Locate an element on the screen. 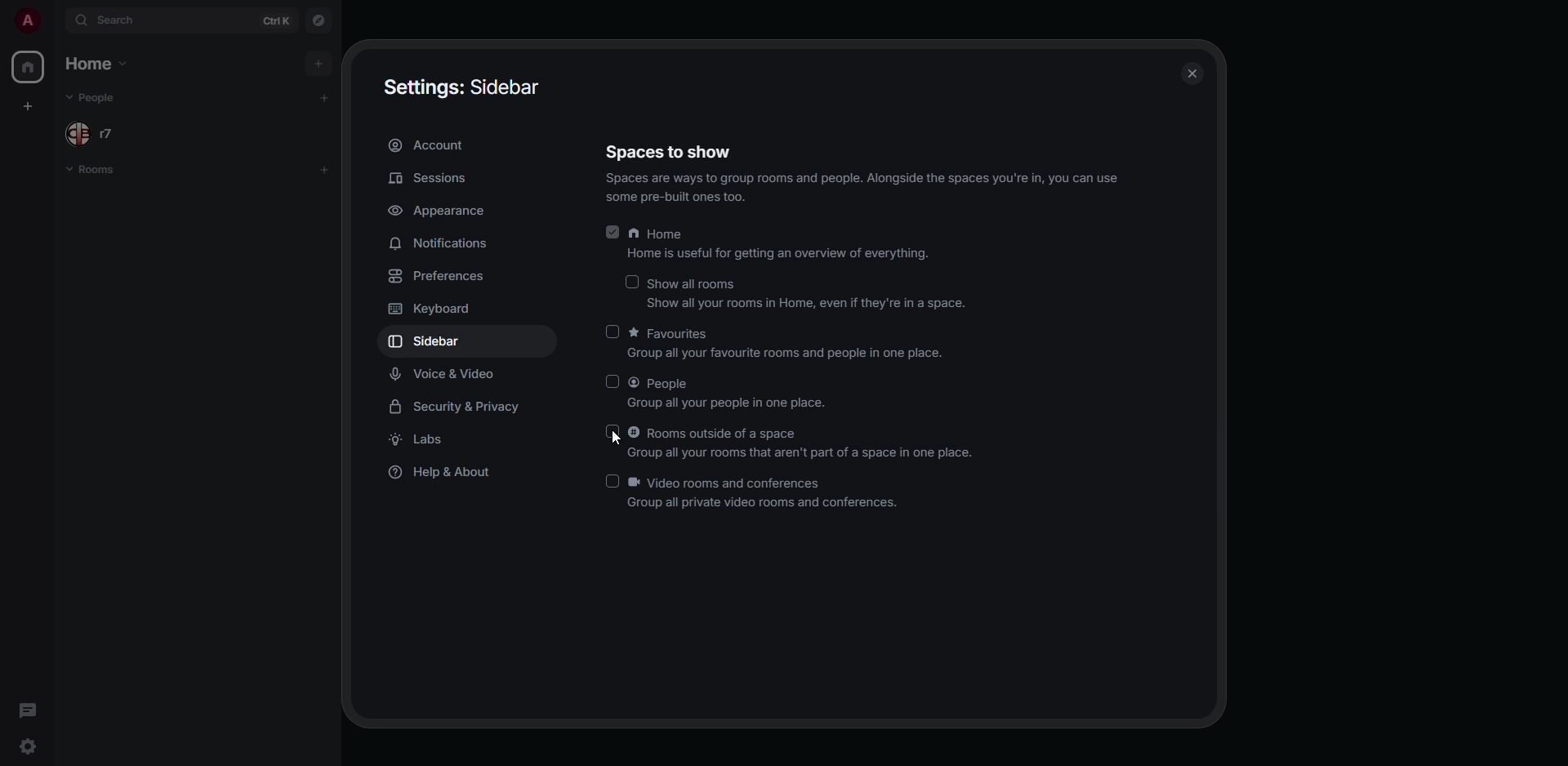 The image size is (1568, 766). create space is located at coordinates (29, 108).